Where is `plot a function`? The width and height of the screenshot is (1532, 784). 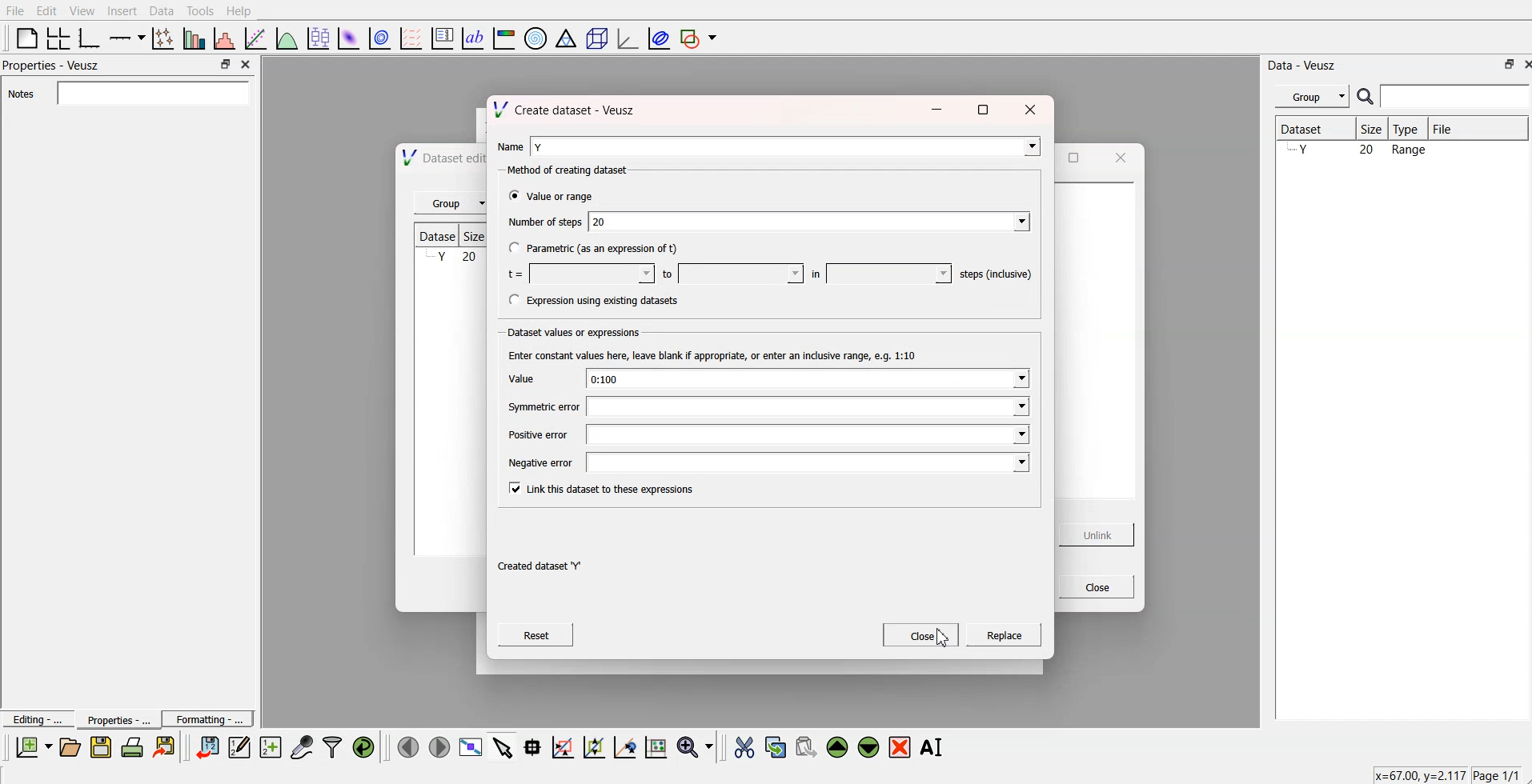
plot a function is located at coordinates (287, 38).